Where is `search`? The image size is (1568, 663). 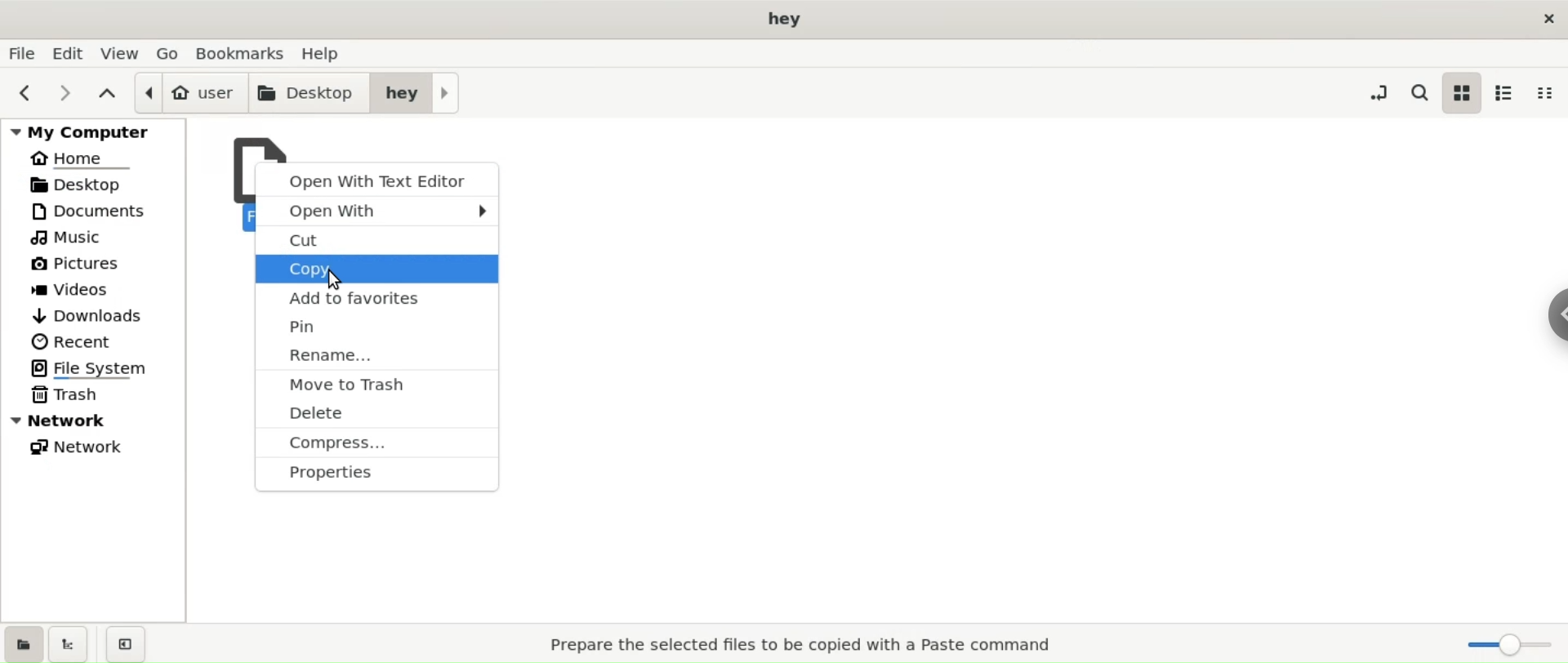
search is located at coordinates (1418, 93).